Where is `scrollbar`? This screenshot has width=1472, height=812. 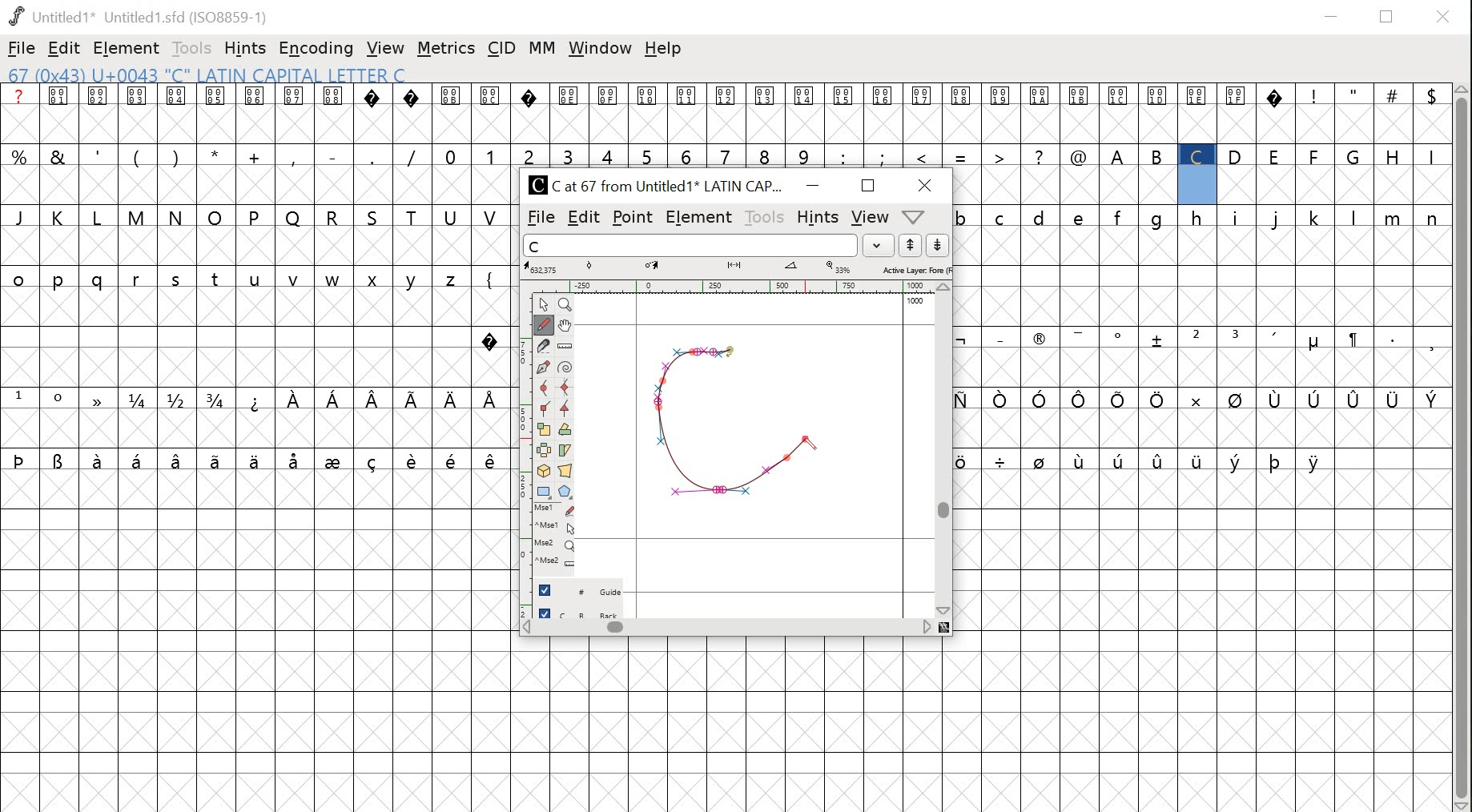
scrollbar is located at coordinates (727, 629).